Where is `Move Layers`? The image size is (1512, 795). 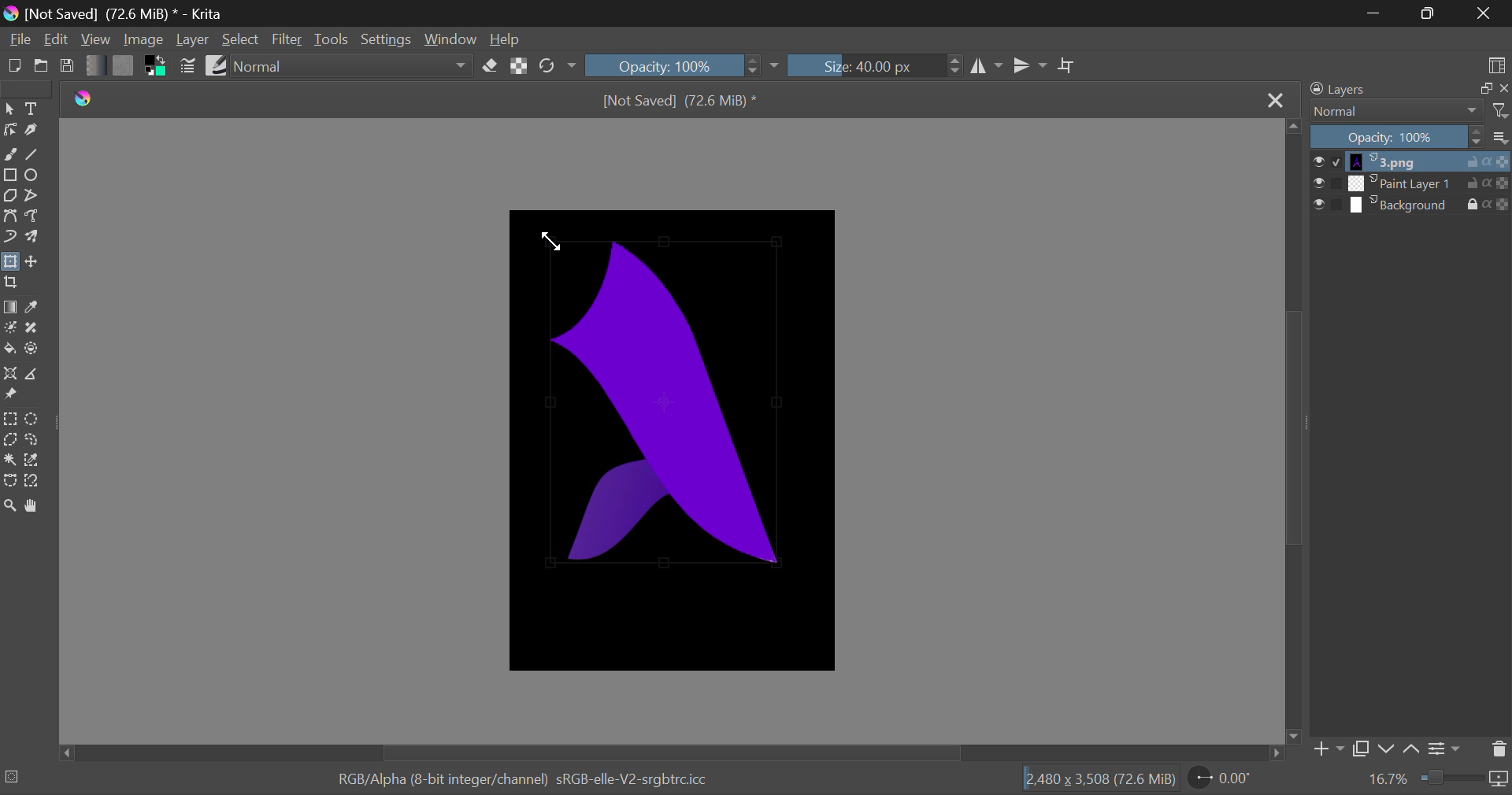 Move Layers is located at coordinates (34, 263).